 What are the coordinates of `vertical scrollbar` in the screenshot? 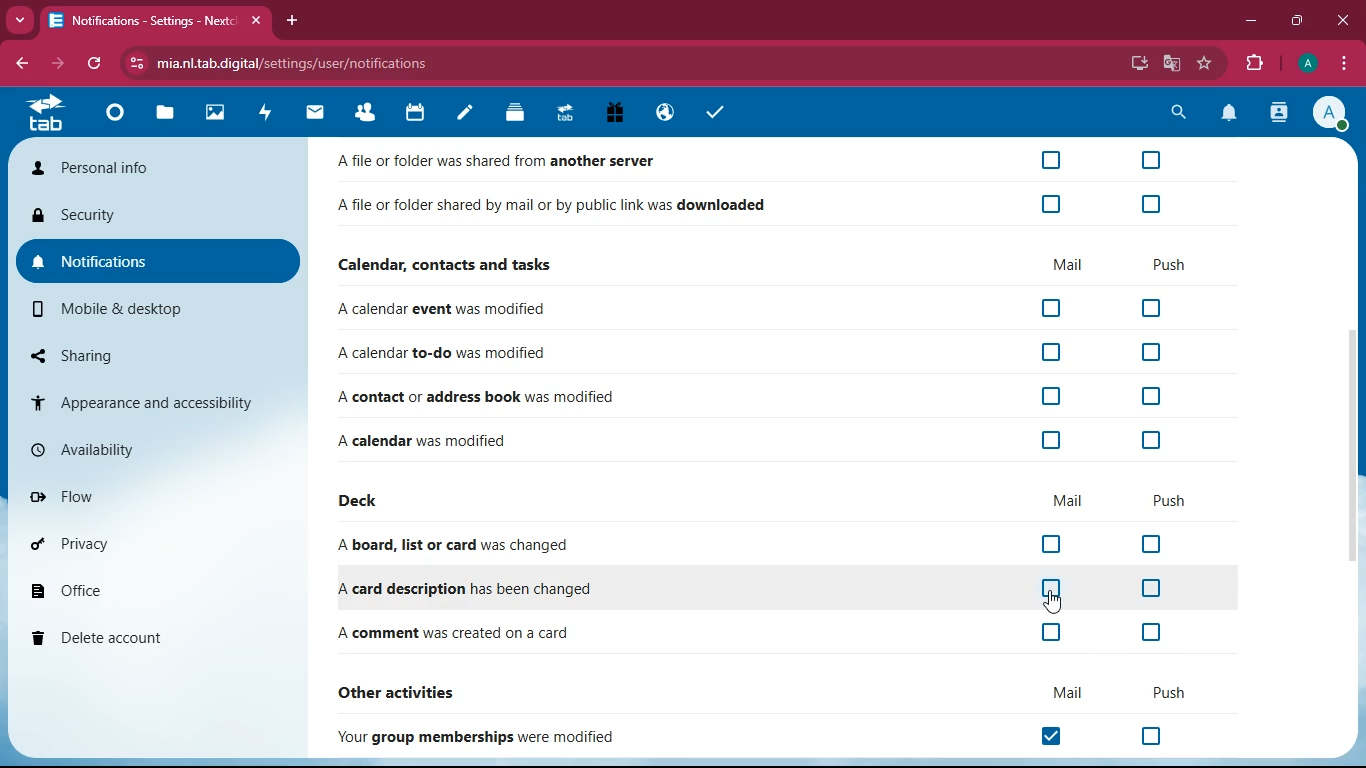 It's located at (1352, 450).